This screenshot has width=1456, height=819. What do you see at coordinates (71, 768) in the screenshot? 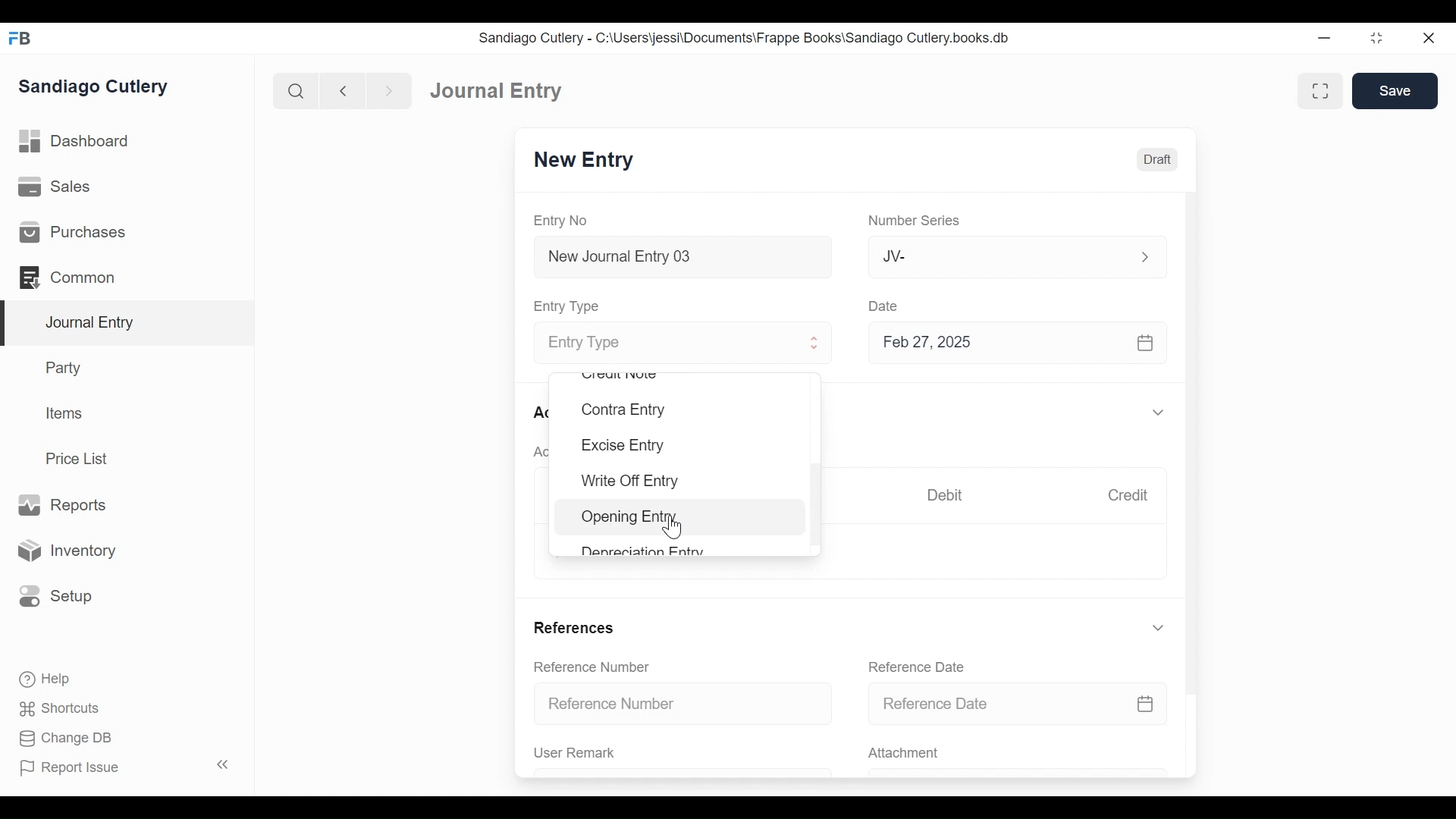
I see `Report Issue` at bounding box center [71, 768].